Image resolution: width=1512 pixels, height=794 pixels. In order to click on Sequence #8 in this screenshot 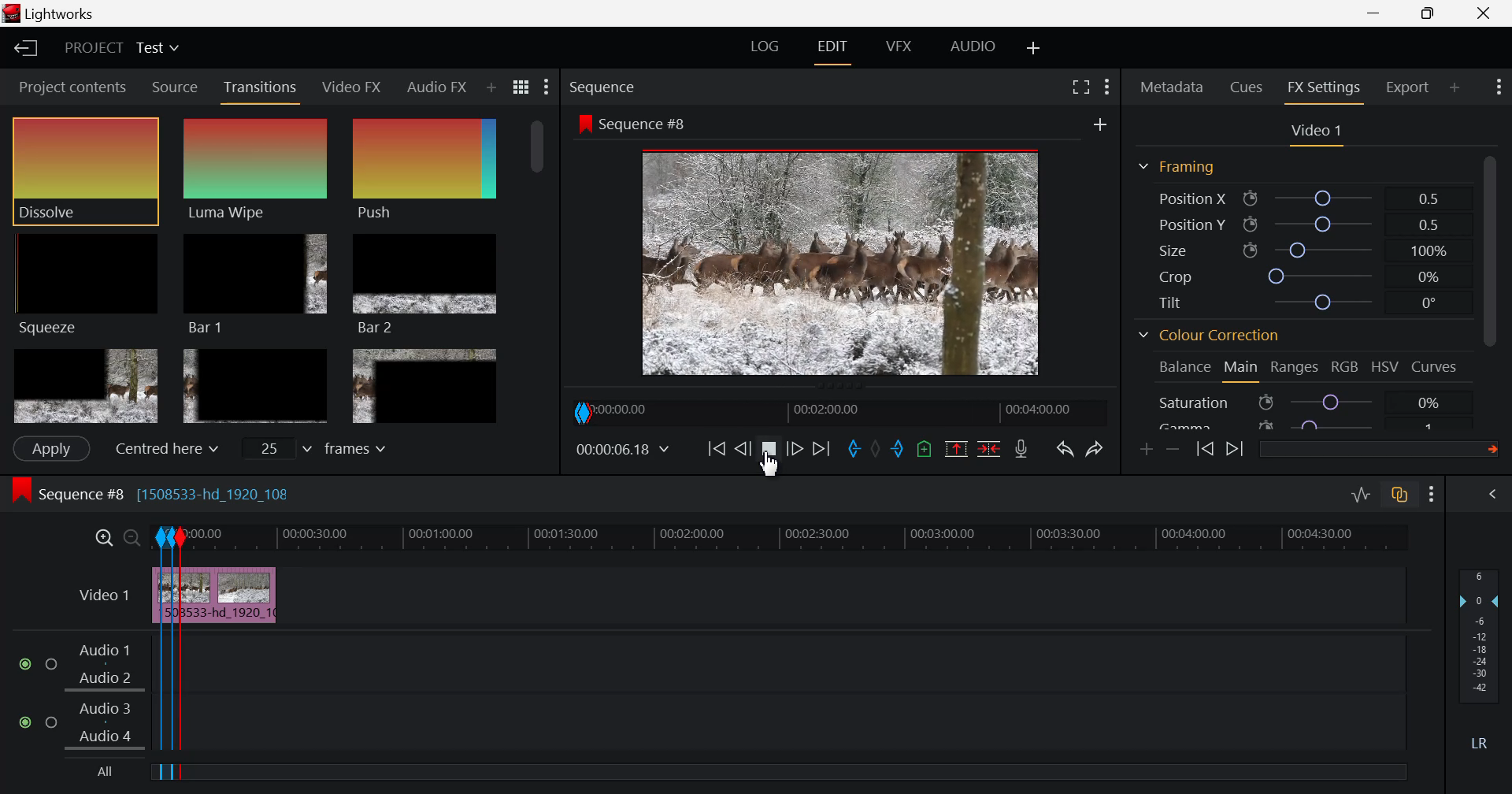, I will do `click(632, 124)`.